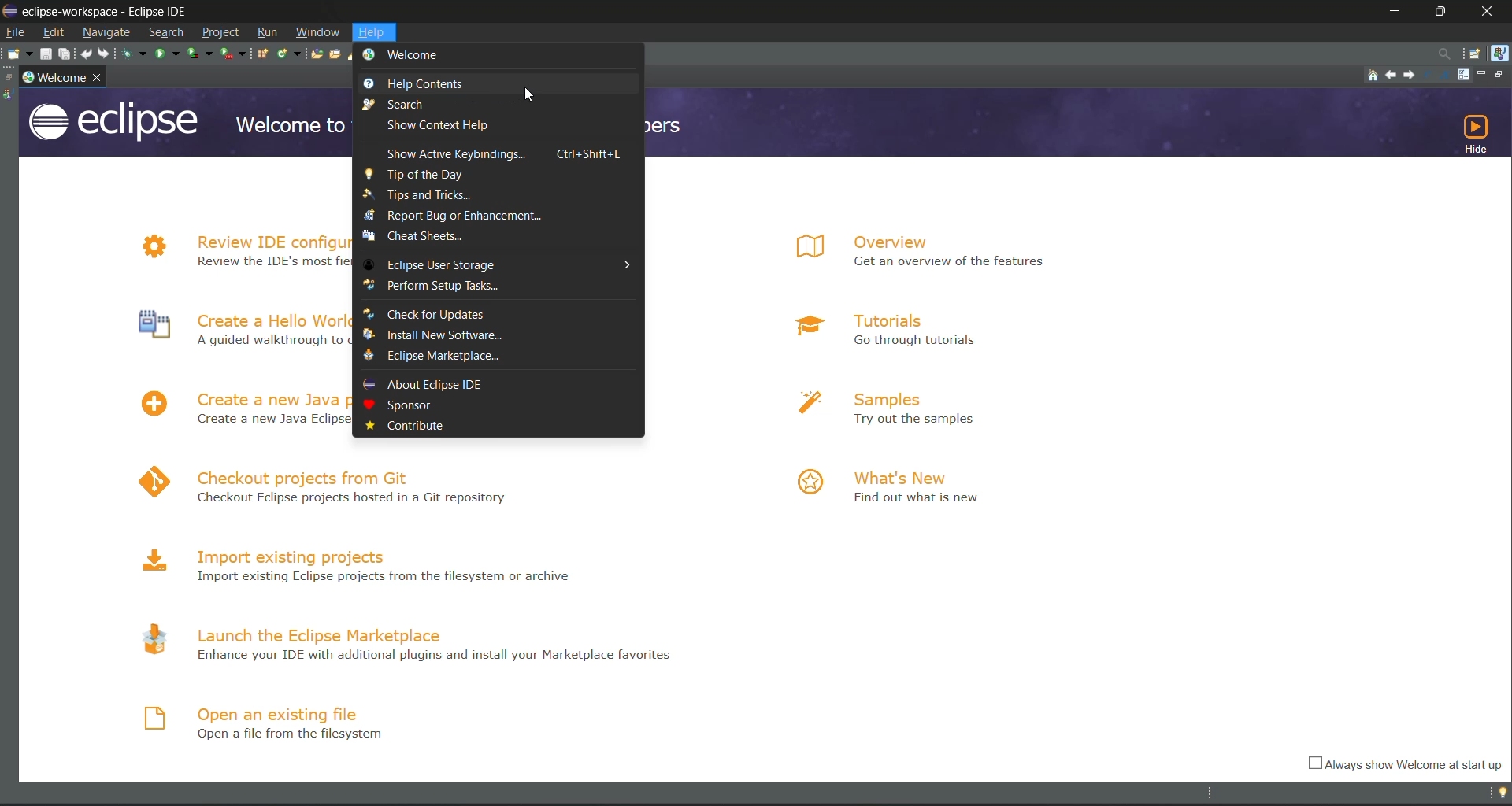  I want to click on customize page, so click(1467, 74).